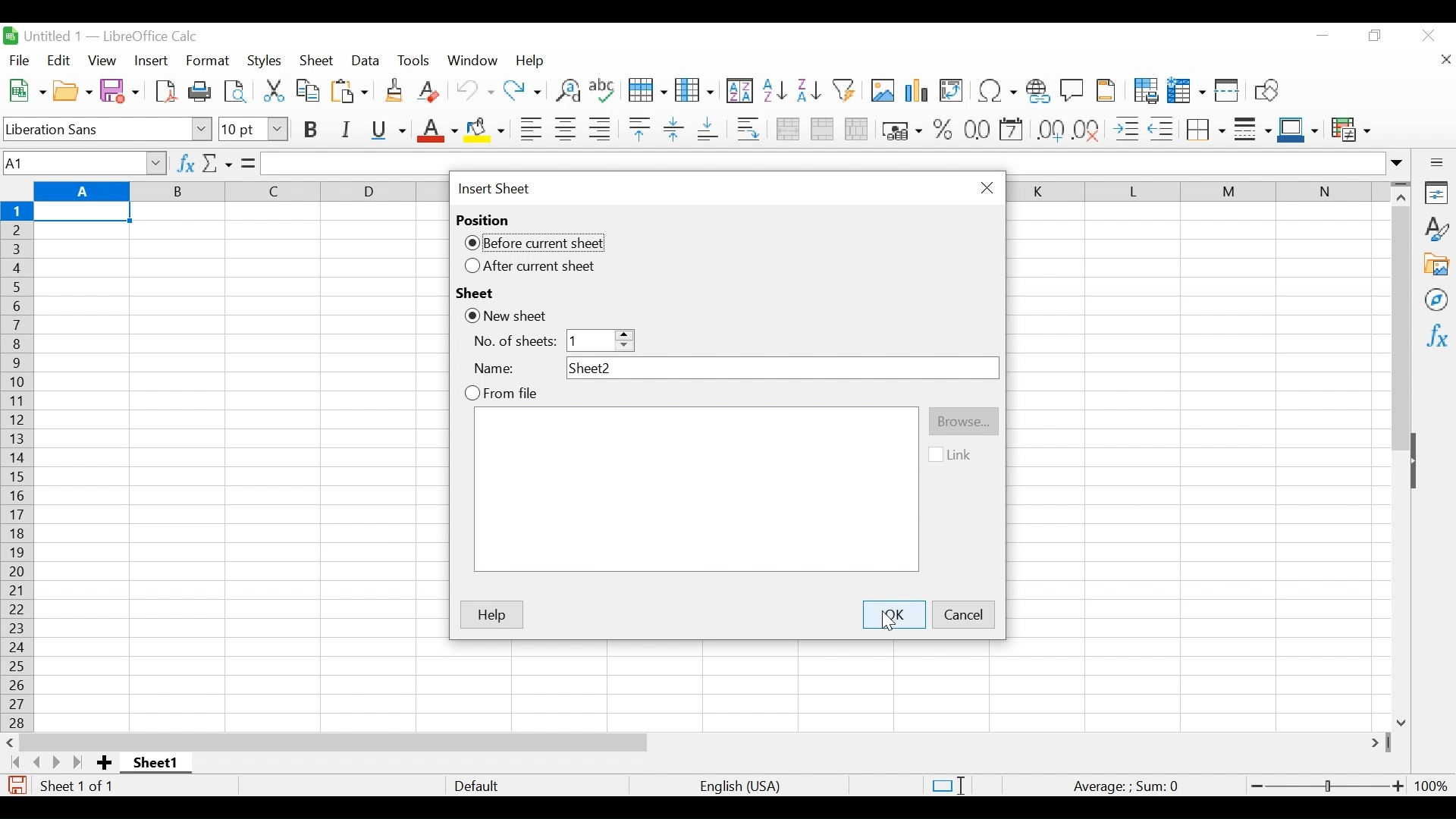  Describe the element at coordinates (1038, 93) in the screenshot. I see `Insert Hyperlink` at that location.